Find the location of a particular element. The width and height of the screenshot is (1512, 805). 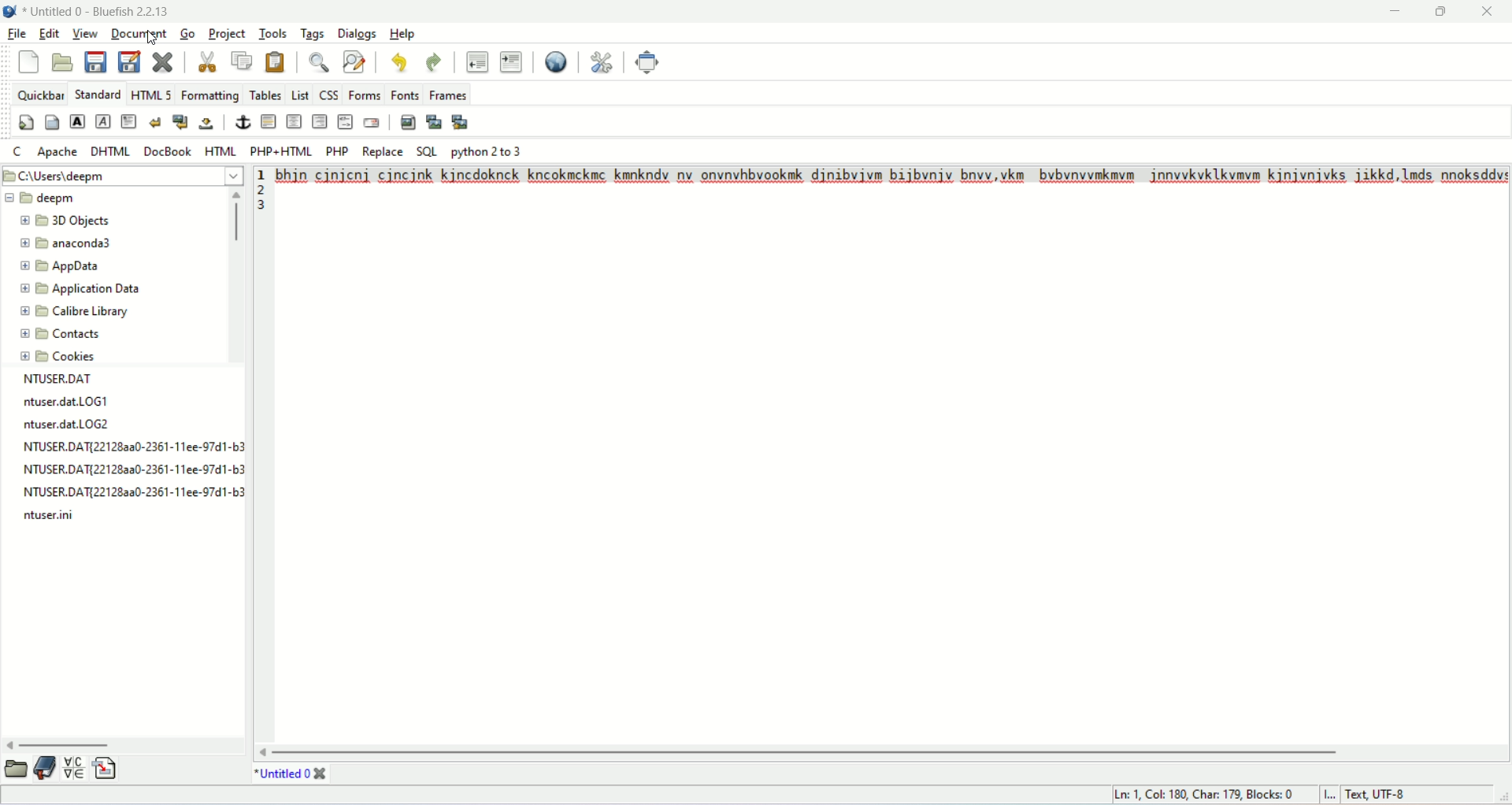

anchor/hyperlink is located at coordinates (242, 121).